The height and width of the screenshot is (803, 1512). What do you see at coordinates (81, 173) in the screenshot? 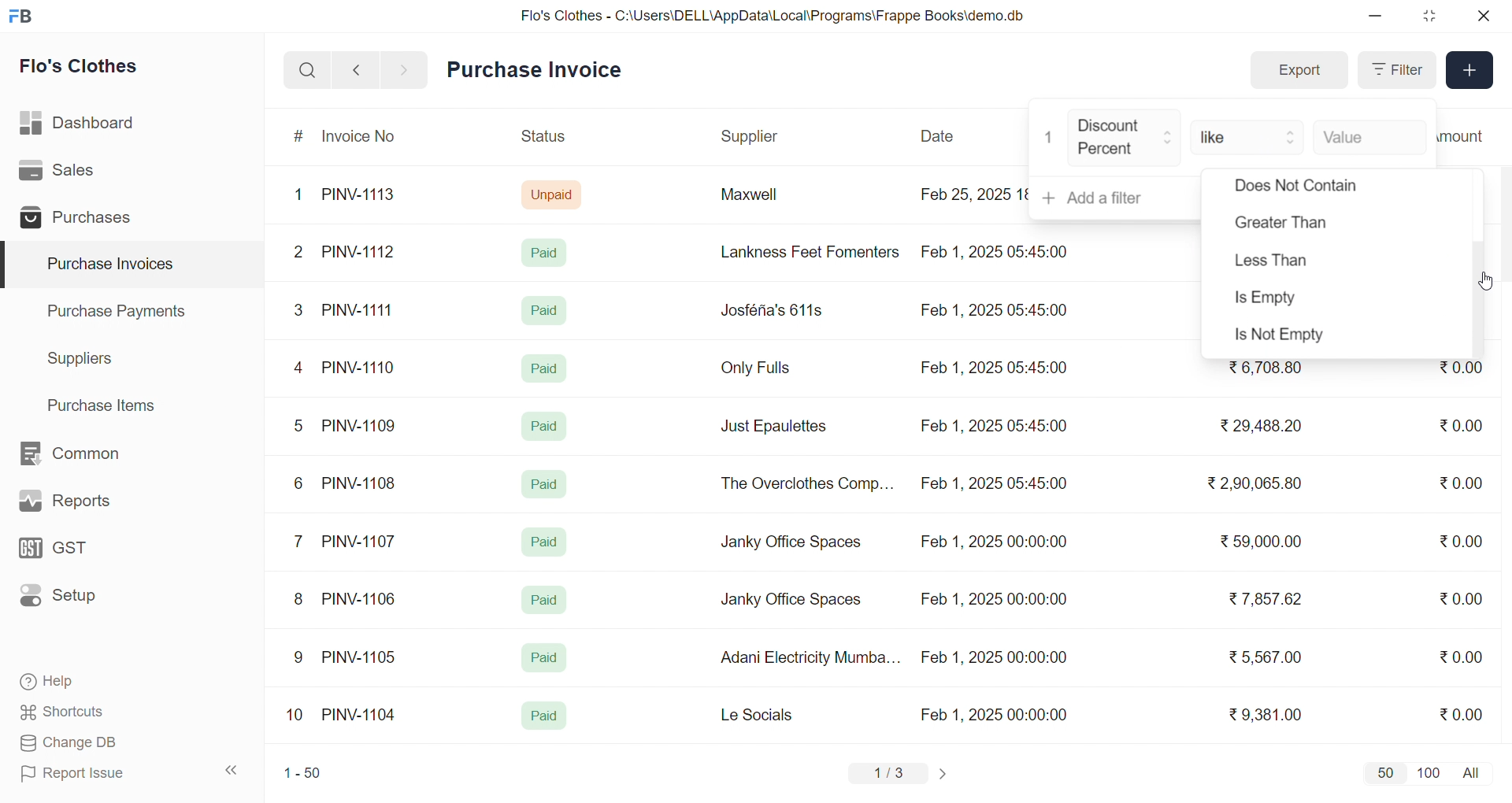
I see `Sales` at bounding box center [81, 173].